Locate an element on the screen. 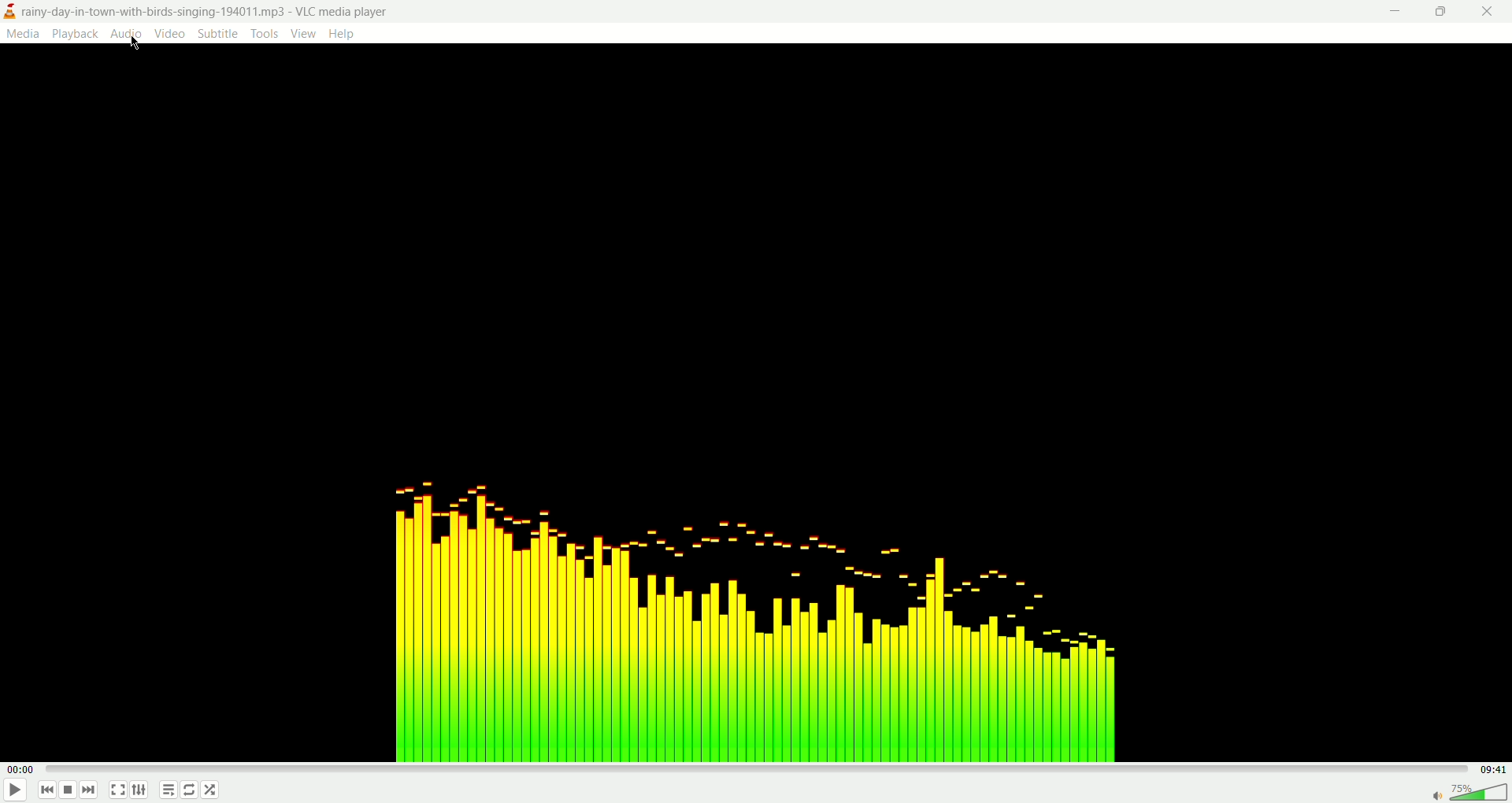 The width and height of the screenshot is (1512, 803). played time is located at coordinates (17, 768).